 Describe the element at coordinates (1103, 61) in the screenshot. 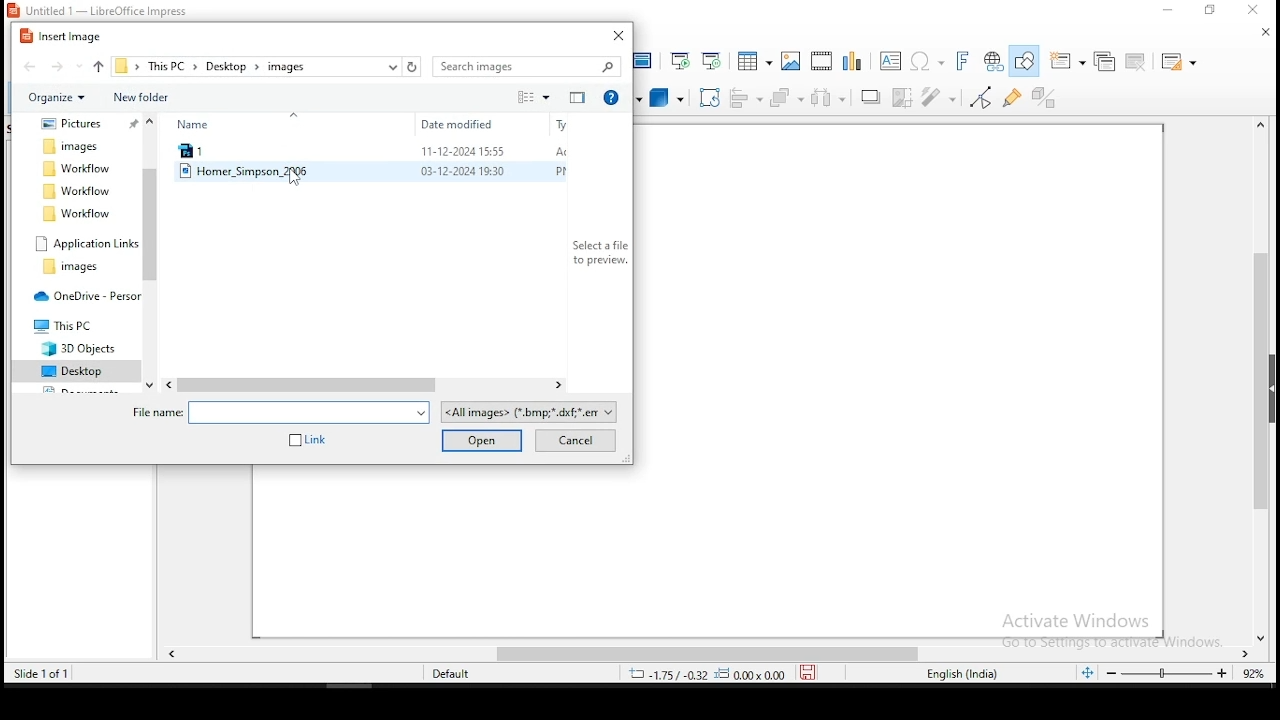

I see `duplicate slide` at that location.